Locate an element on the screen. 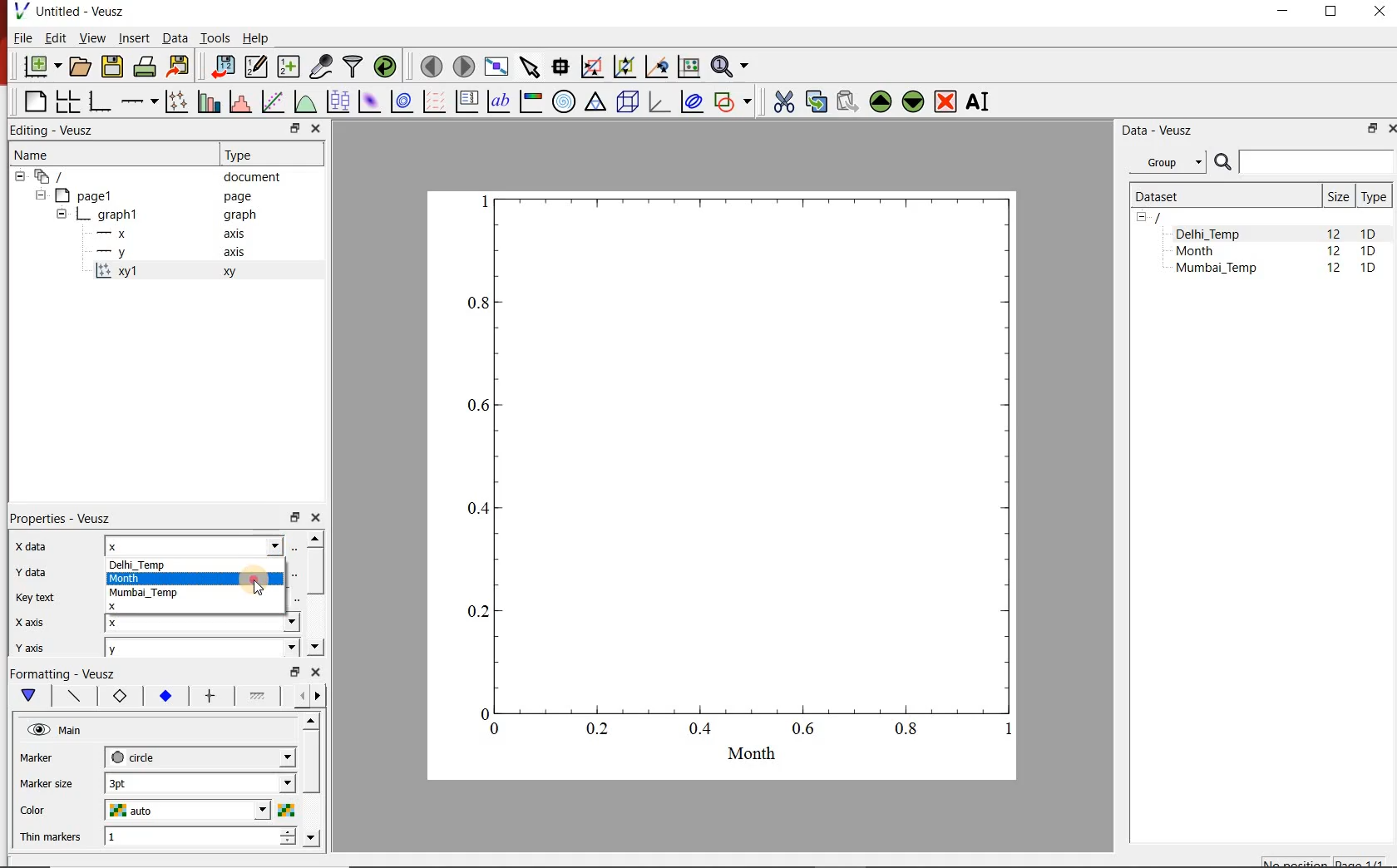 Image resolution: width=1397 pixels, height=868 pixels. Editing - Veusz is located at coordinates (62, 129).